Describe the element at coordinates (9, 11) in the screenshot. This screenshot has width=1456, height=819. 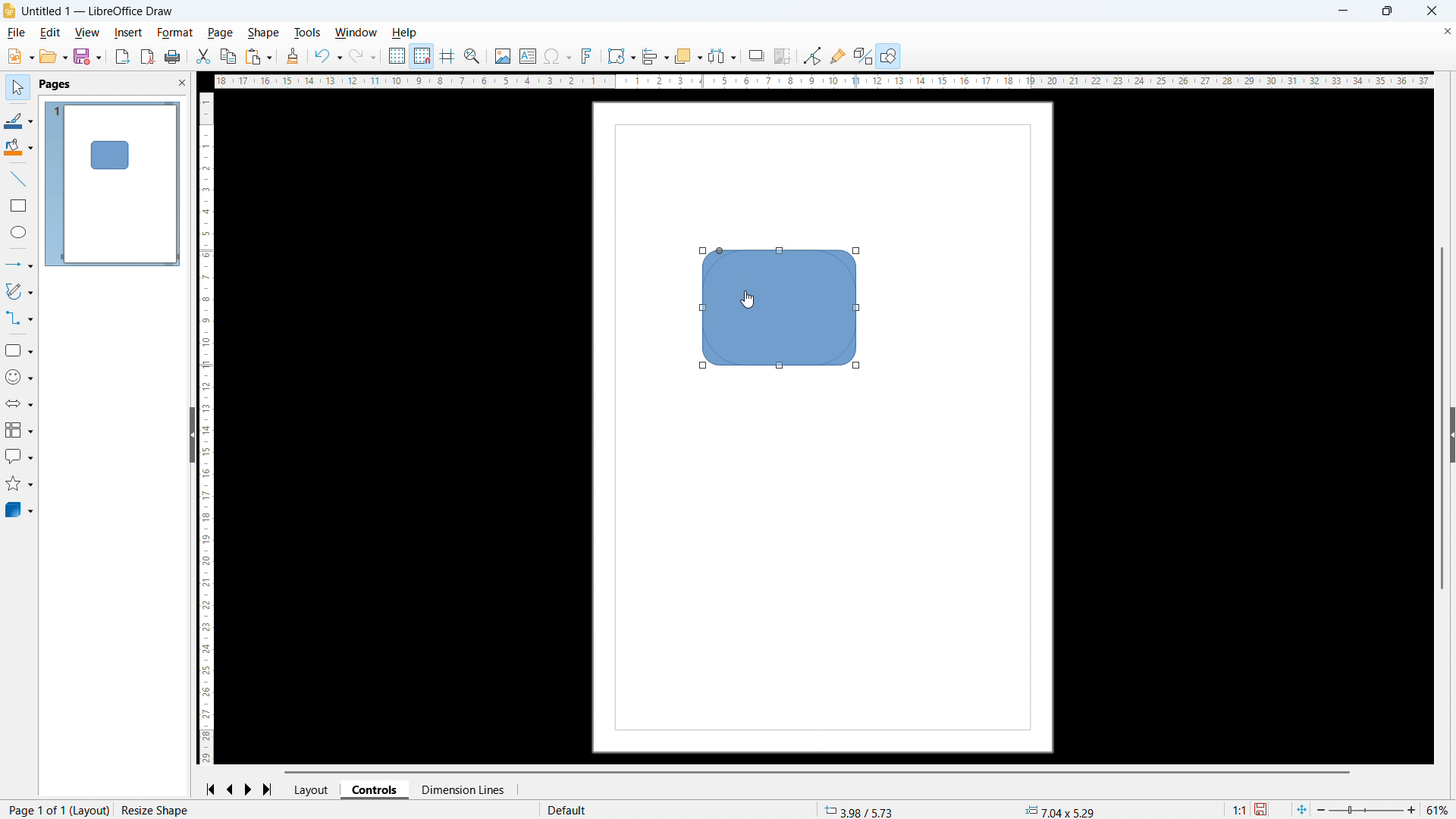
I see `Logo ` at that location.